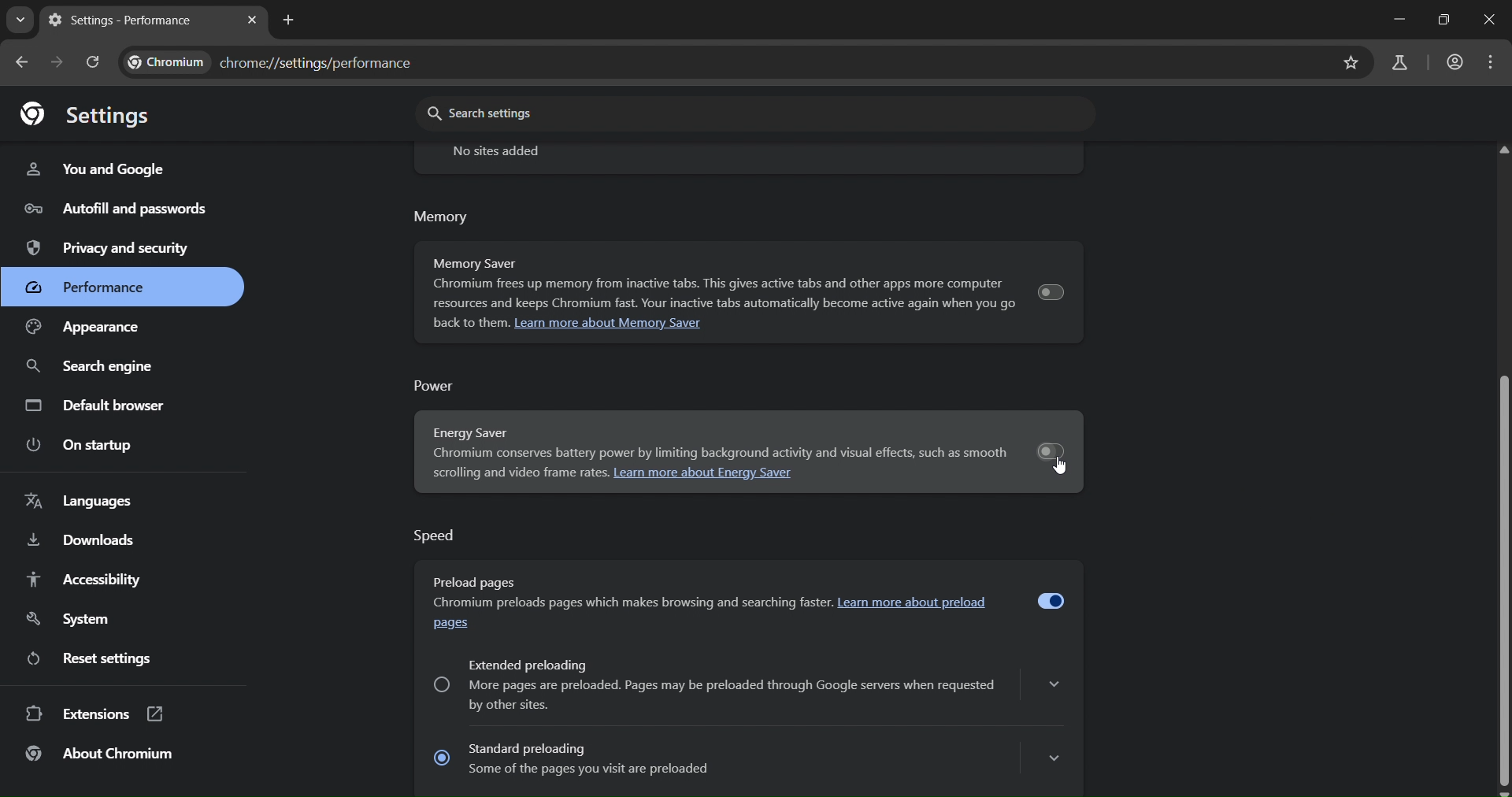 This screenshot has width=1512, height=797. What do you see at coordinates (91, 445) in the screenshot?
I see `on startup` at bounding box center [91, 445].